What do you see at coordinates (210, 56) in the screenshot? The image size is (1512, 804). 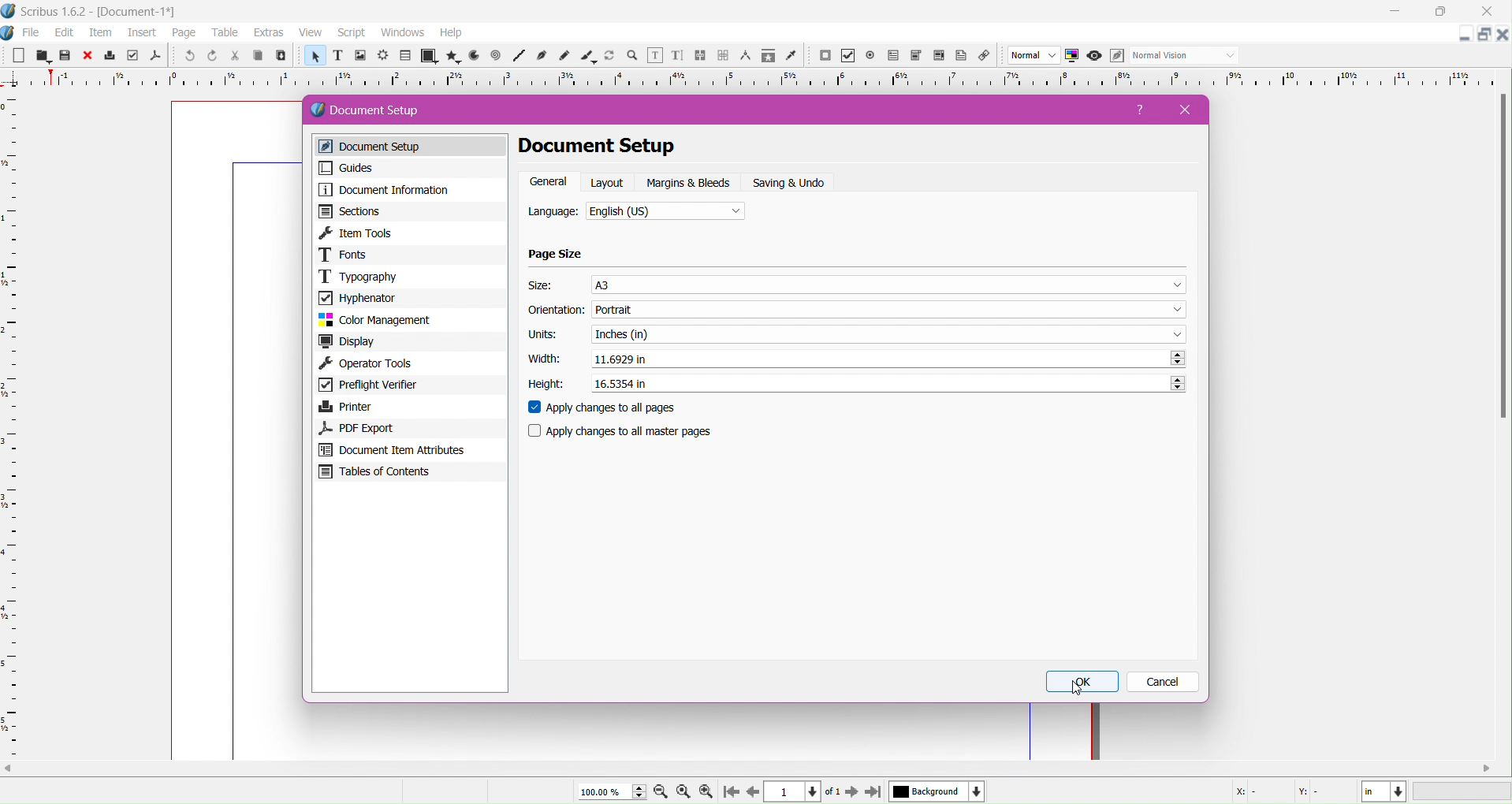 I see `redo` at bounding box center [210, 56].